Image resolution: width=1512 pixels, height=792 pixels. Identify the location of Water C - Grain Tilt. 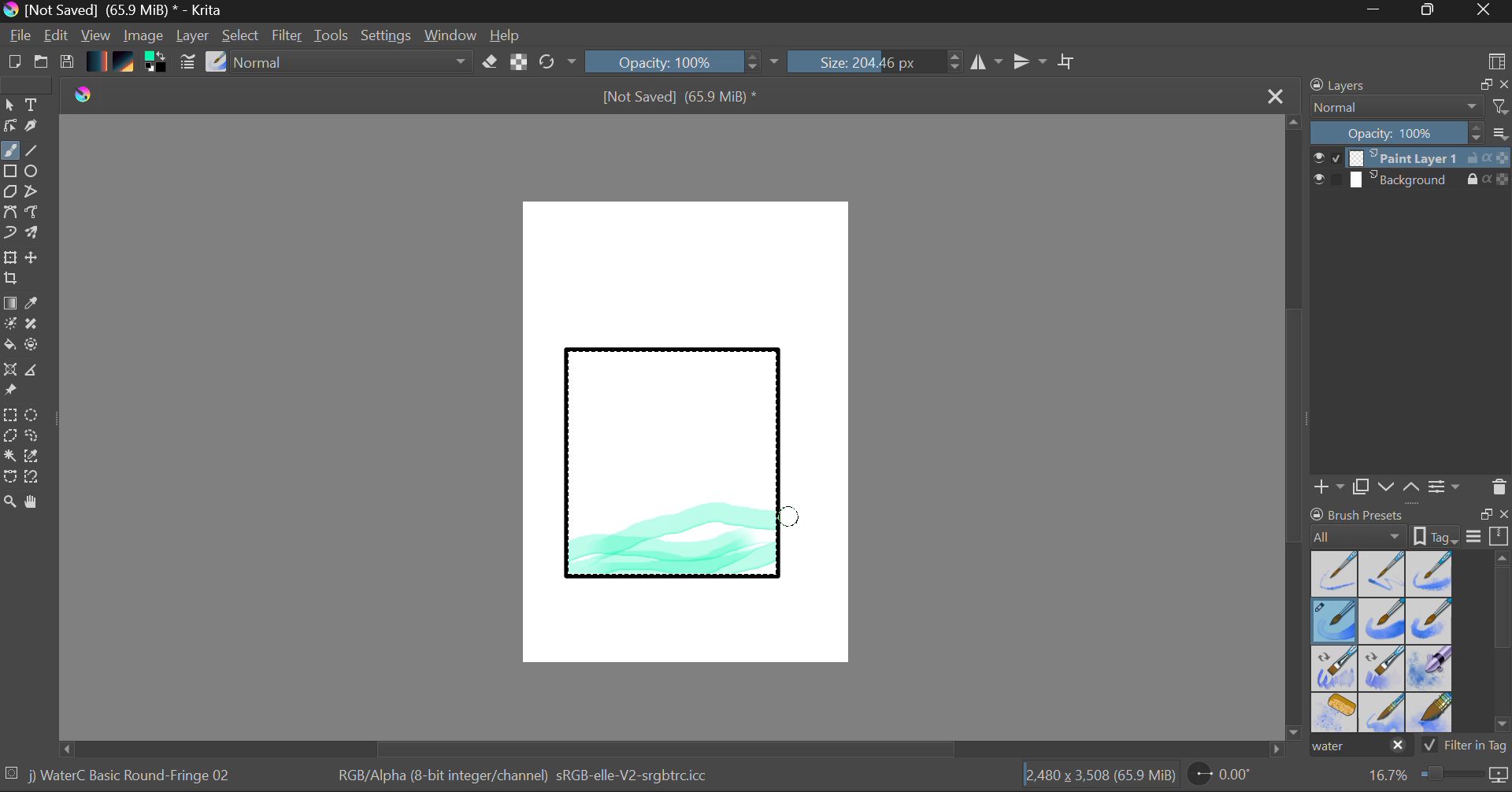
(1336, 668).